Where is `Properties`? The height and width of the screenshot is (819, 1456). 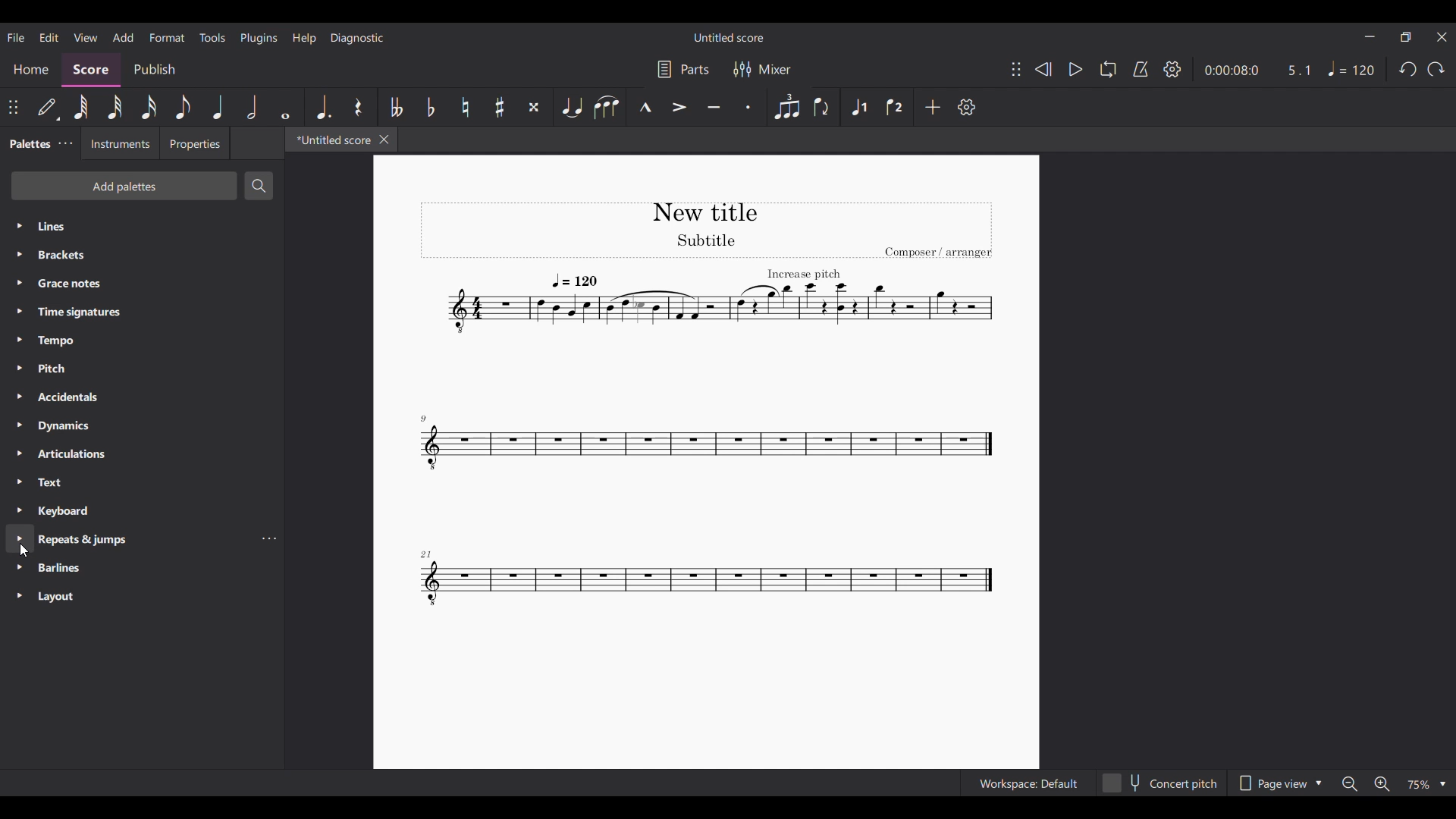 Properties is located at coordinates (194, 143).